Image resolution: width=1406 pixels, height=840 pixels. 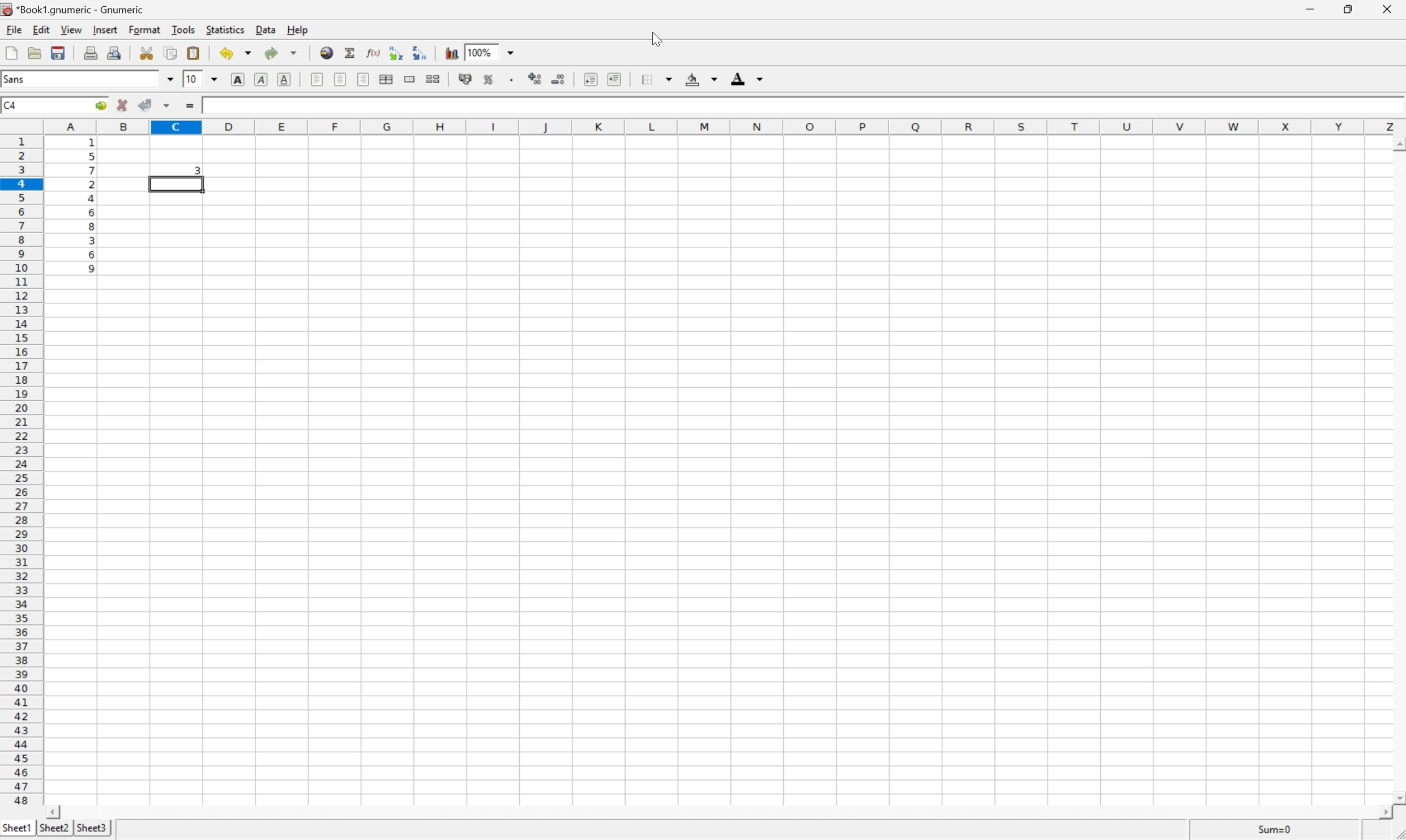 I want to click on sheet1, so click(x=16, y=828).